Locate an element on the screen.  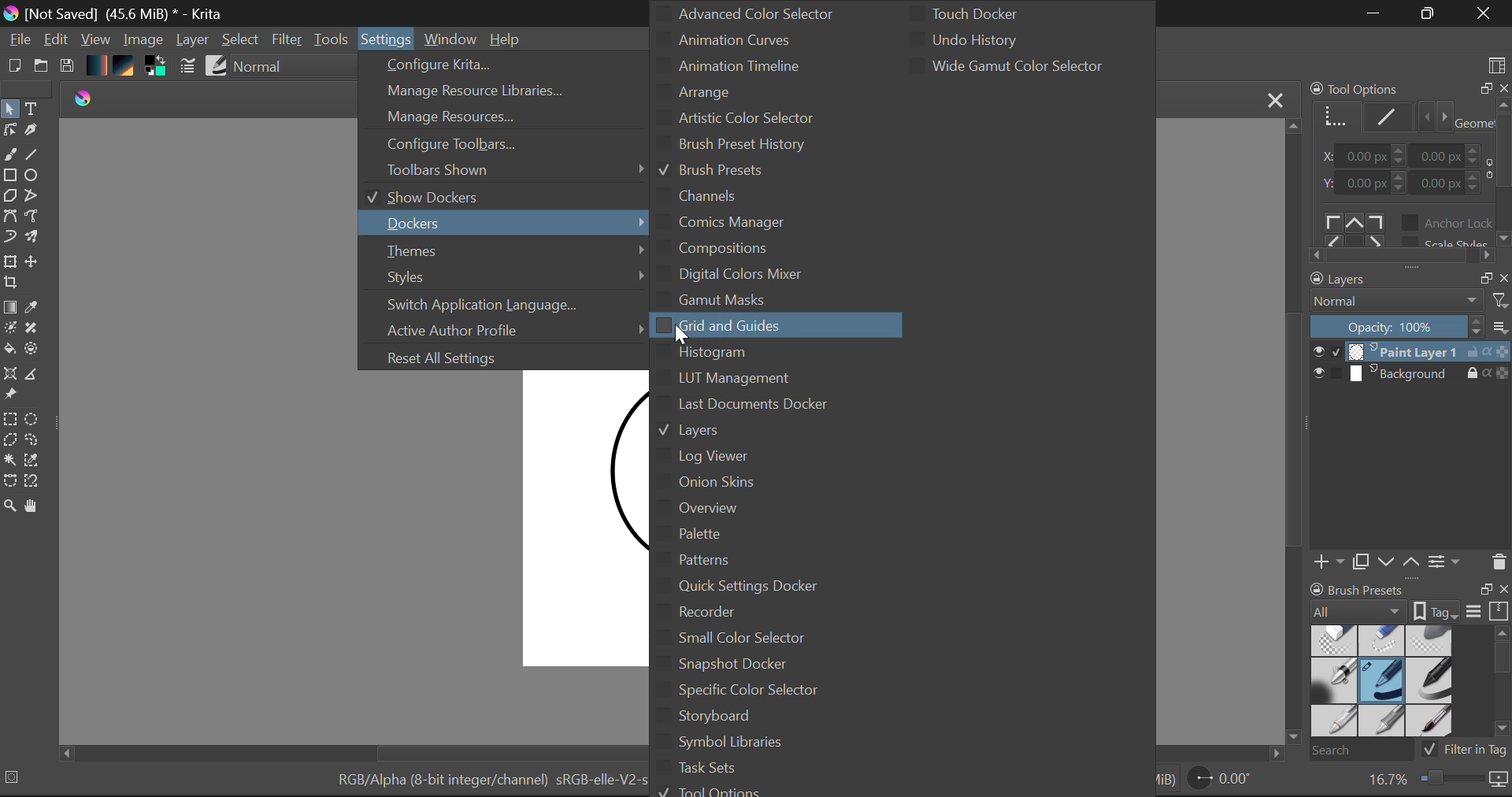
Comics Manager is located at coordinates (736, 223).